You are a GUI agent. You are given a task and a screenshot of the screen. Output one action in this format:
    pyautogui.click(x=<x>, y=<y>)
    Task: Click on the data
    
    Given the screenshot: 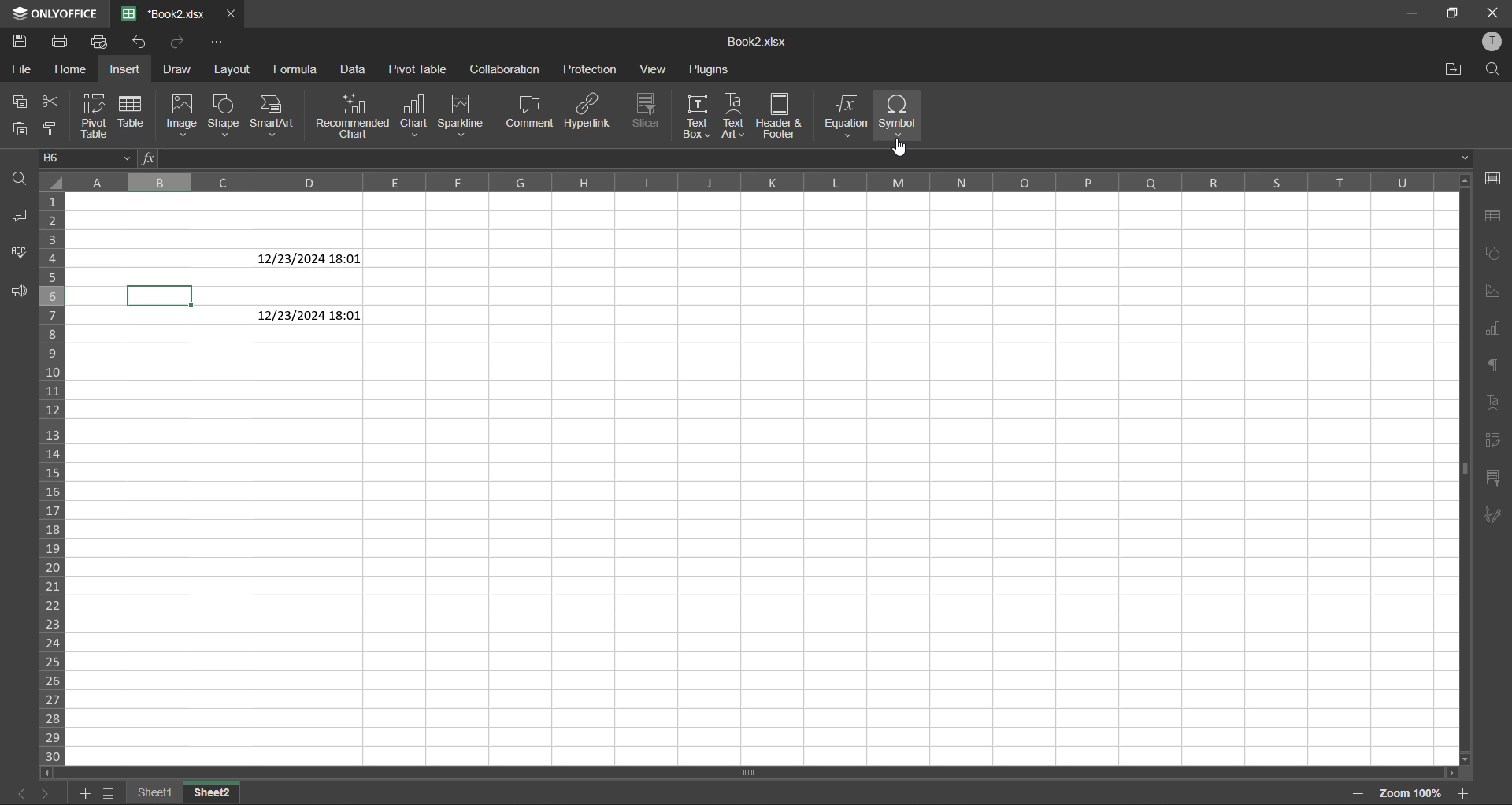 What is the action you would take?
    pyautogui.click(x=354, y=70)
    